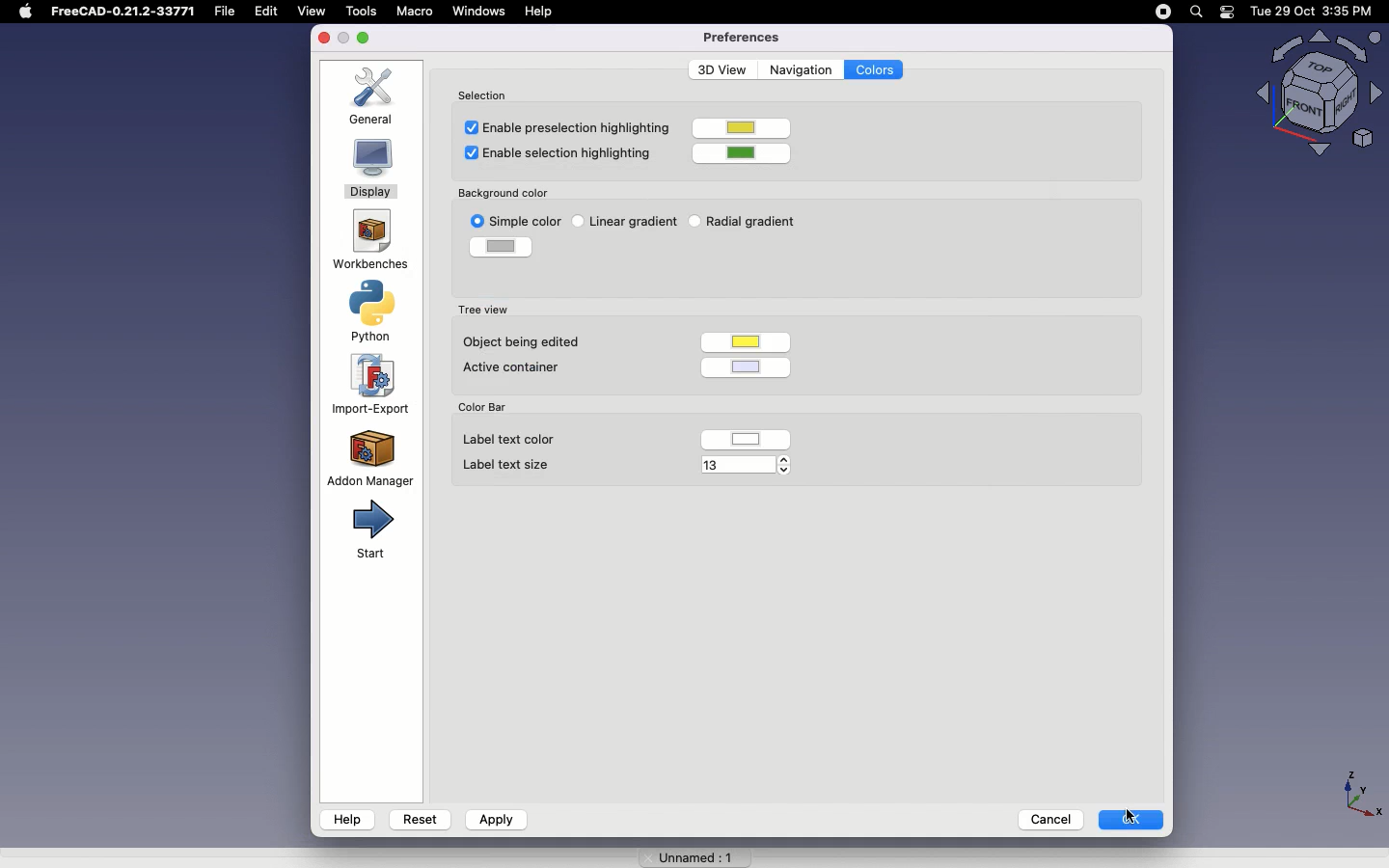 The image size is (1389, 868). What do you see at coordinates (487, 93) in the screenshot?
I see `Selection` at bounding box center [487, 93].